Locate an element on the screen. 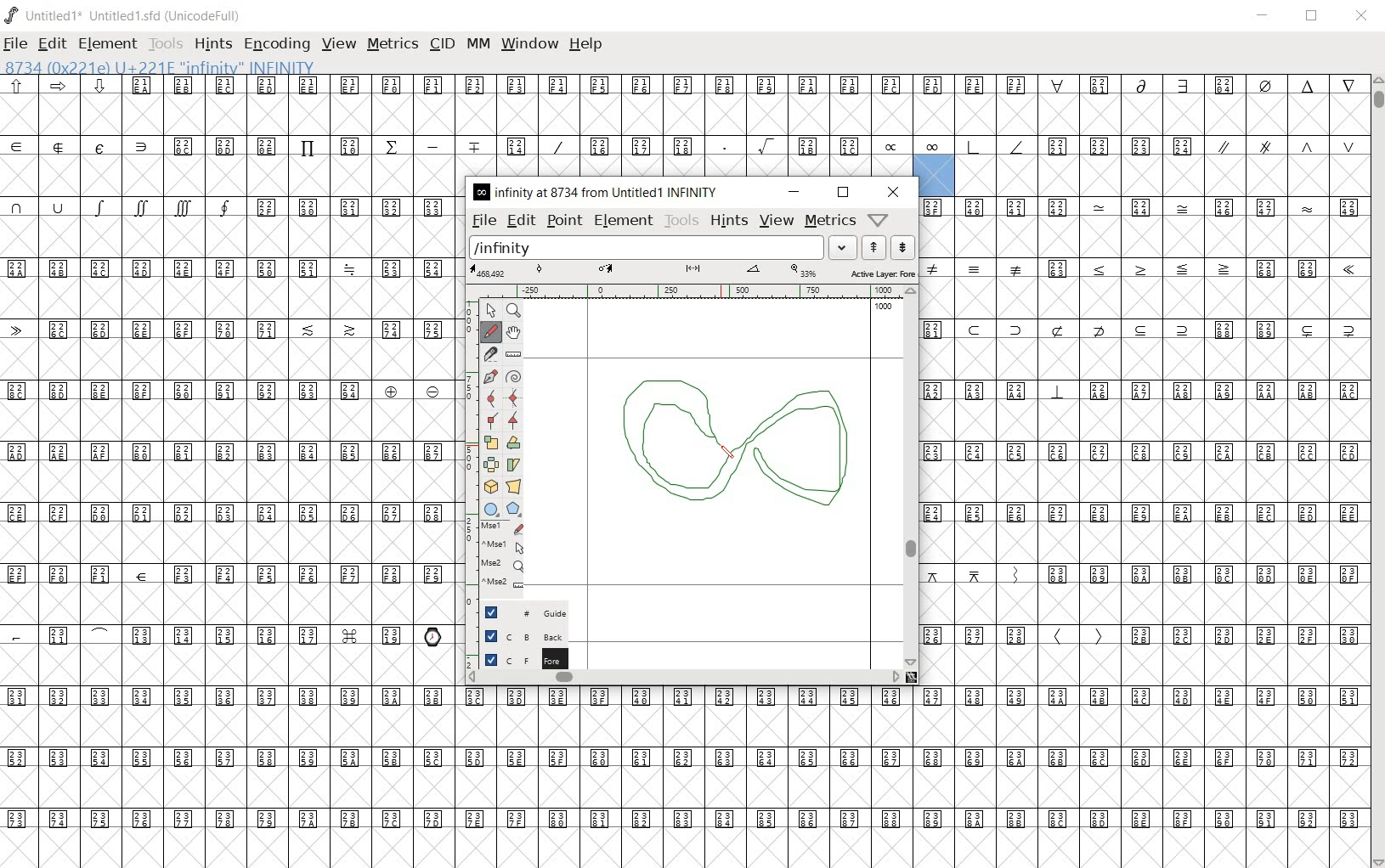 This screenshot has height=868, width=1385. help/window is located at coordinates (880, 218).